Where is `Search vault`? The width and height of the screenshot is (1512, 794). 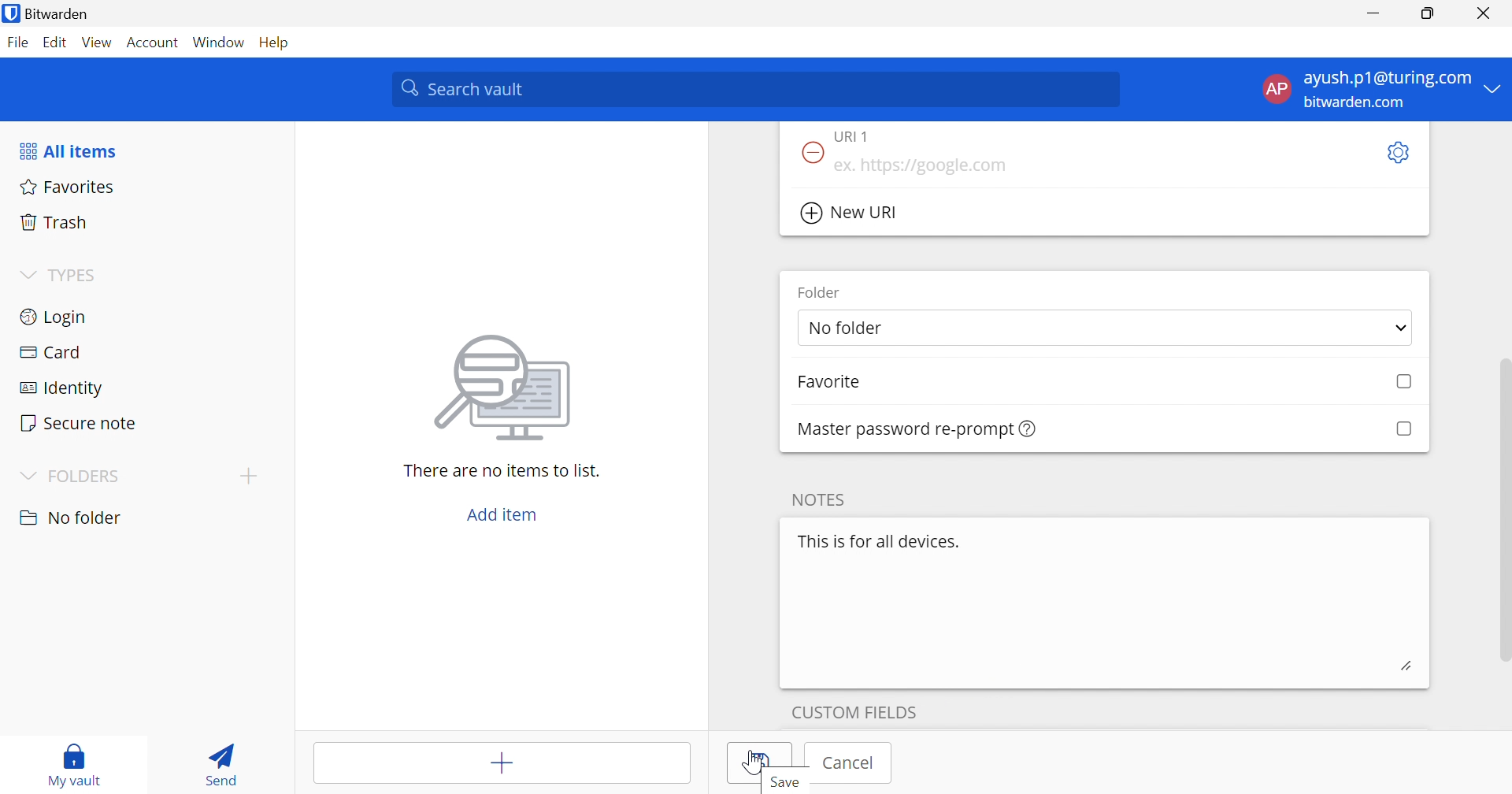 Search vault is located at coordinates (754, 89).